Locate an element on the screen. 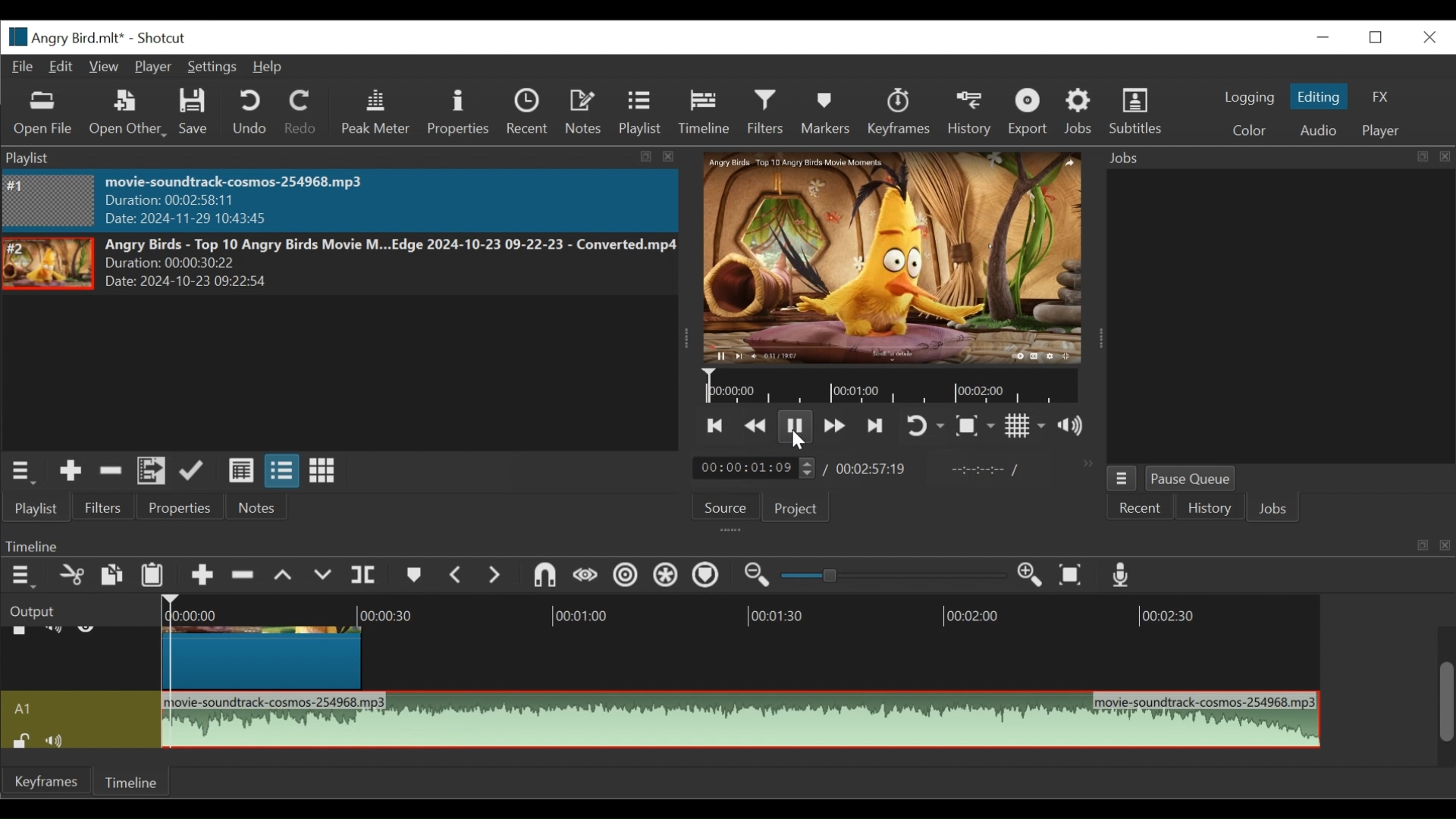 This screenshot has width=1456, height=819. Video track is located at coordinates (81, 659).